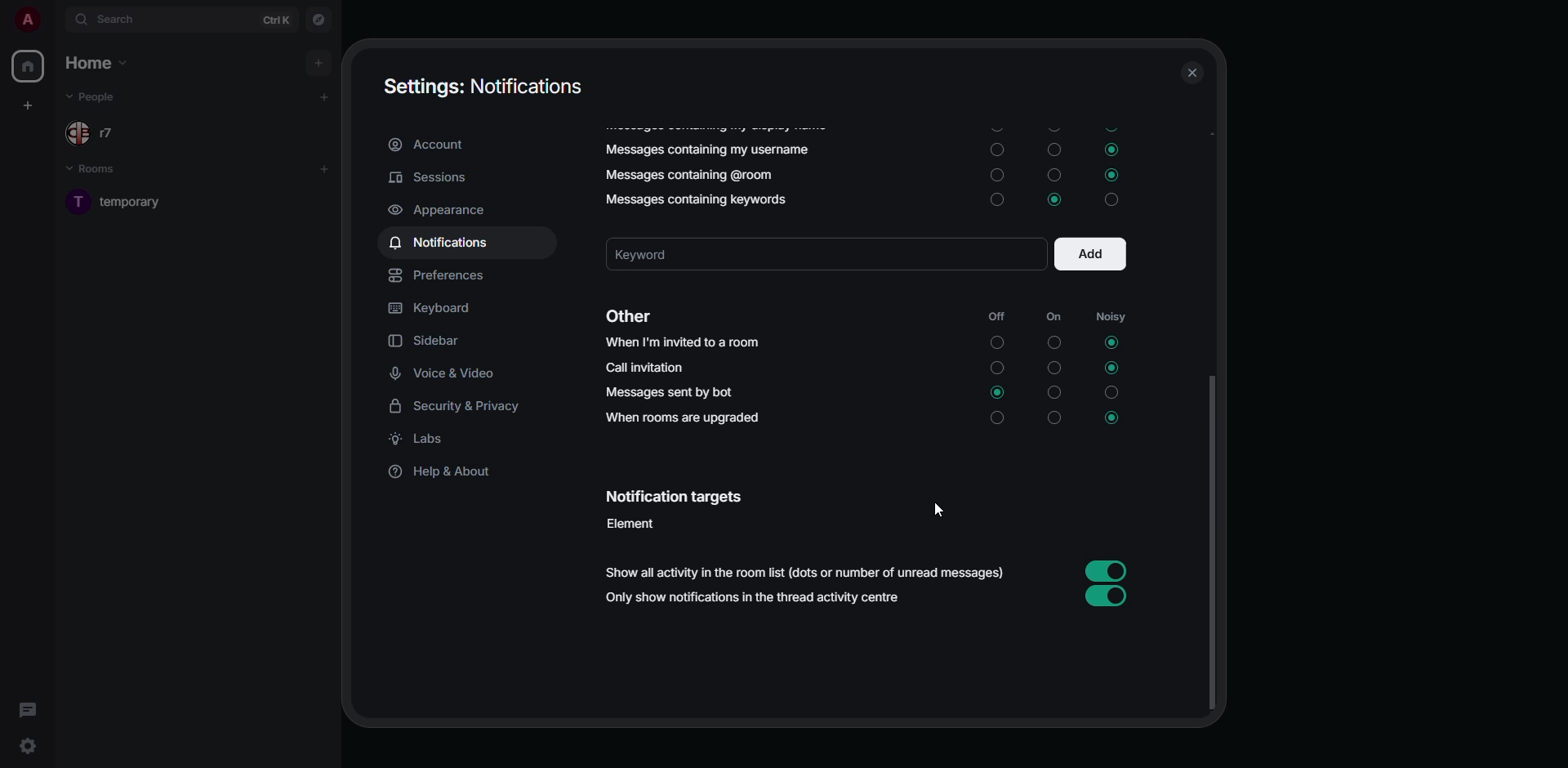 The image size is (1568, 768). I want to click on Off, so click(996, 420).